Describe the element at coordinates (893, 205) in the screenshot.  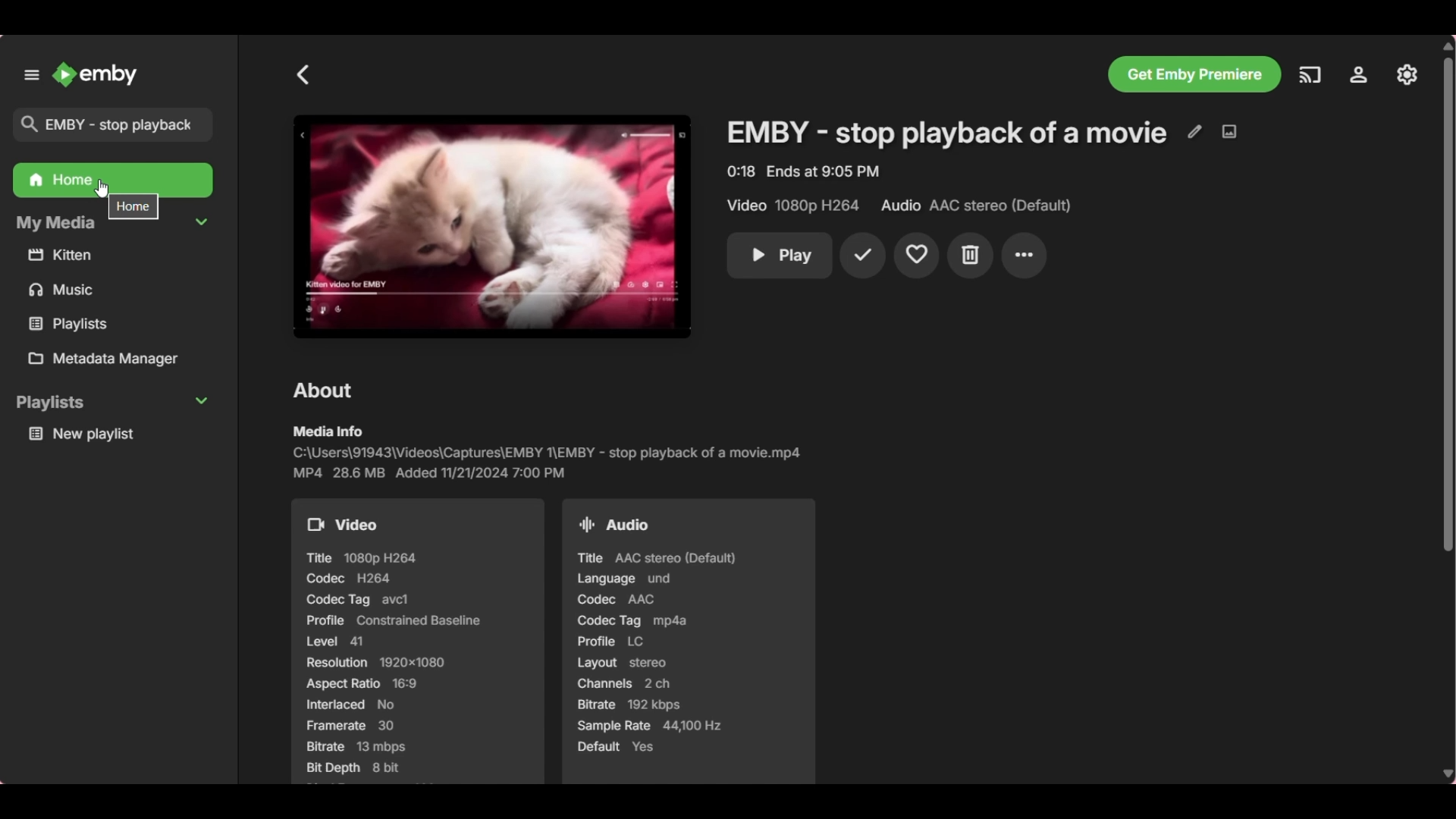
I see `Video 1080p H264 Audio AAC stereo (Default)` at that location.